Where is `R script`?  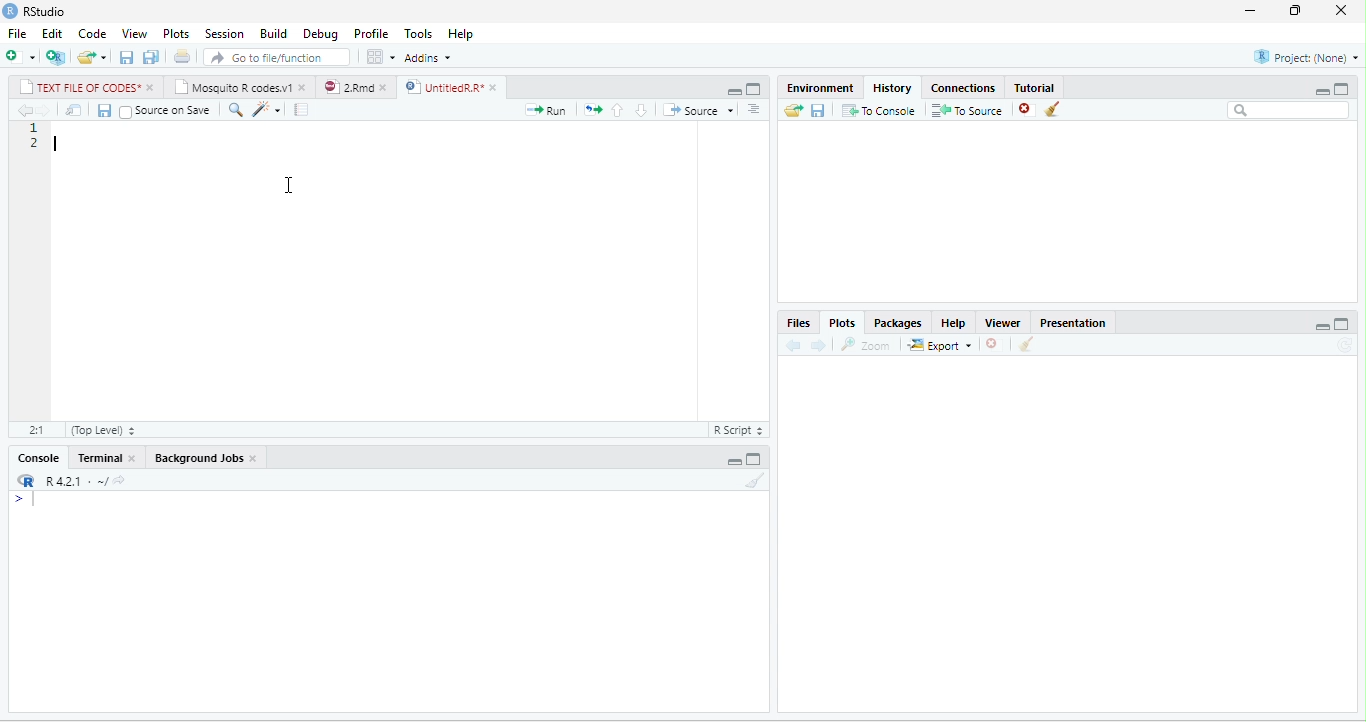
R script is located at coordinates (738, 430).